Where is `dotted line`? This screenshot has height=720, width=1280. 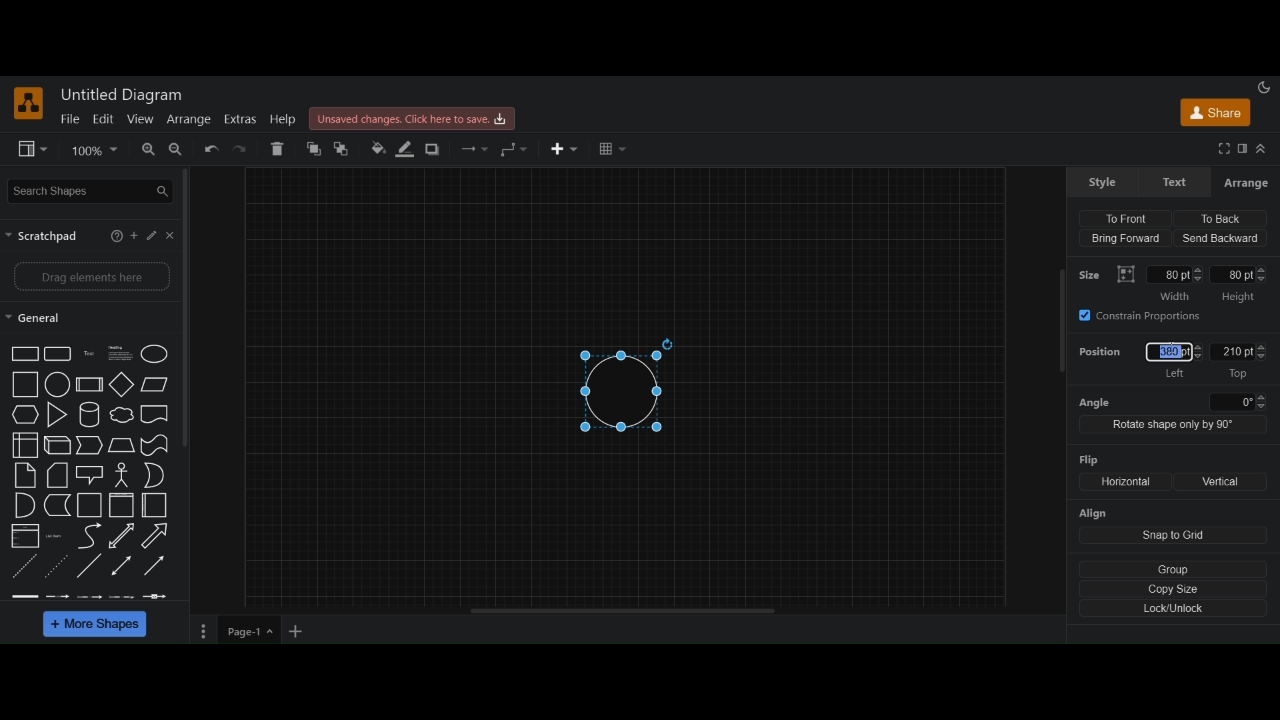
dotted line is located at coordinates (58, 564).